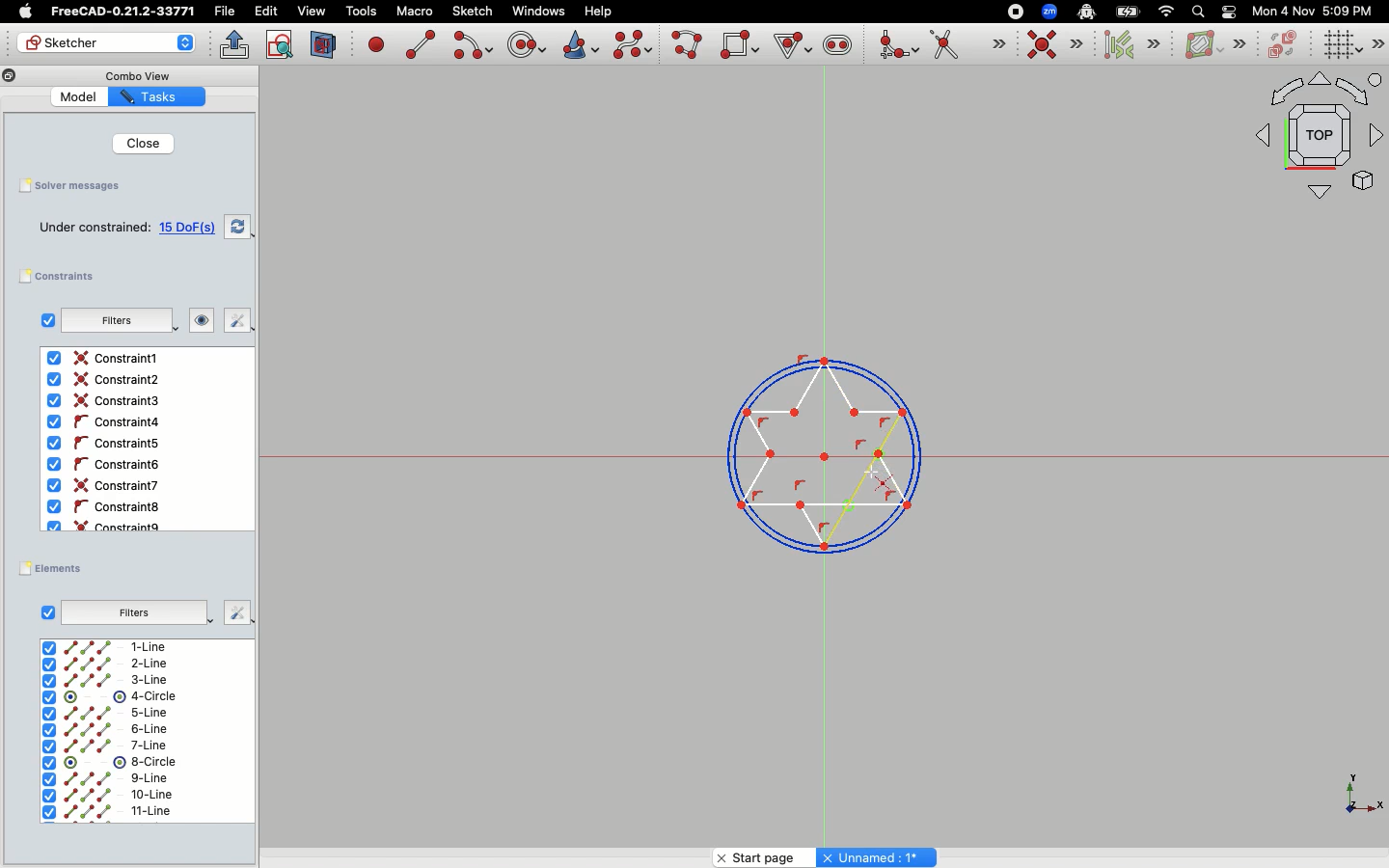 This screenshot has width=1389, height=868. I want to click on view, so click(312, 11).